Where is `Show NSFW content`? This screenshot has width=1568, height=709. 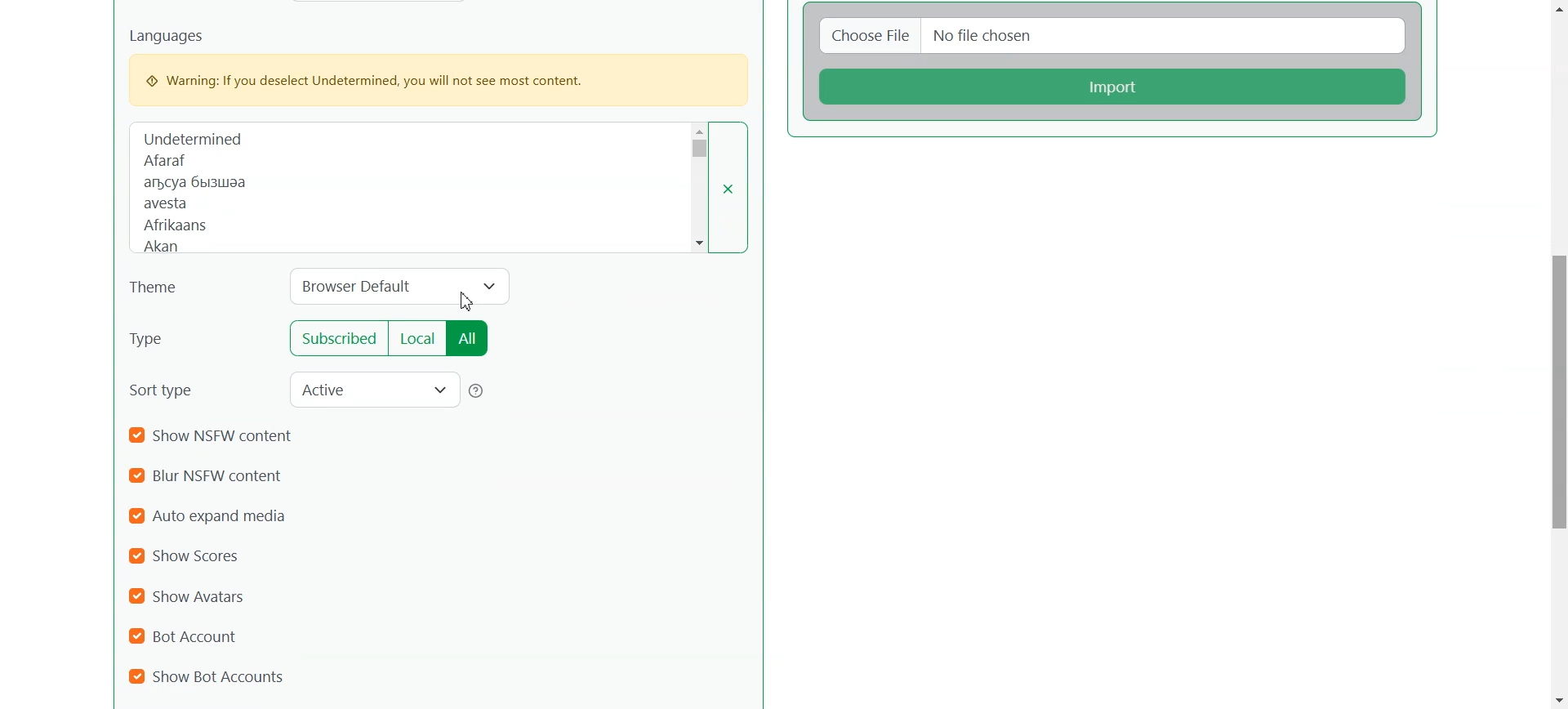 Show NSFW content is located at coordinates (215, 437).